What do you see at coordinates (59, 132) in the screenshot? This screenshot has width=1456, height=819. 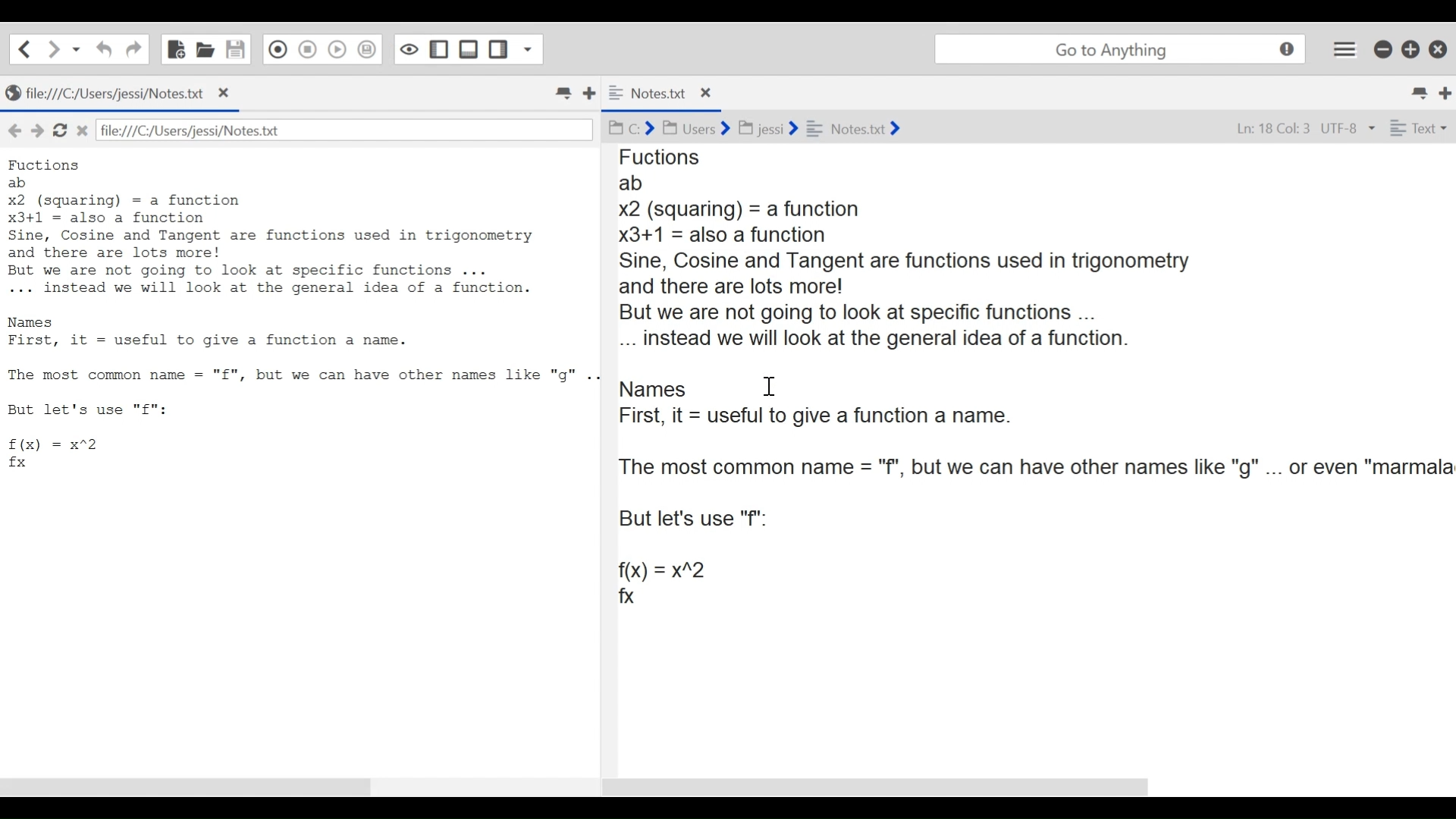 I see `reload` at bounding box center [59, 132].